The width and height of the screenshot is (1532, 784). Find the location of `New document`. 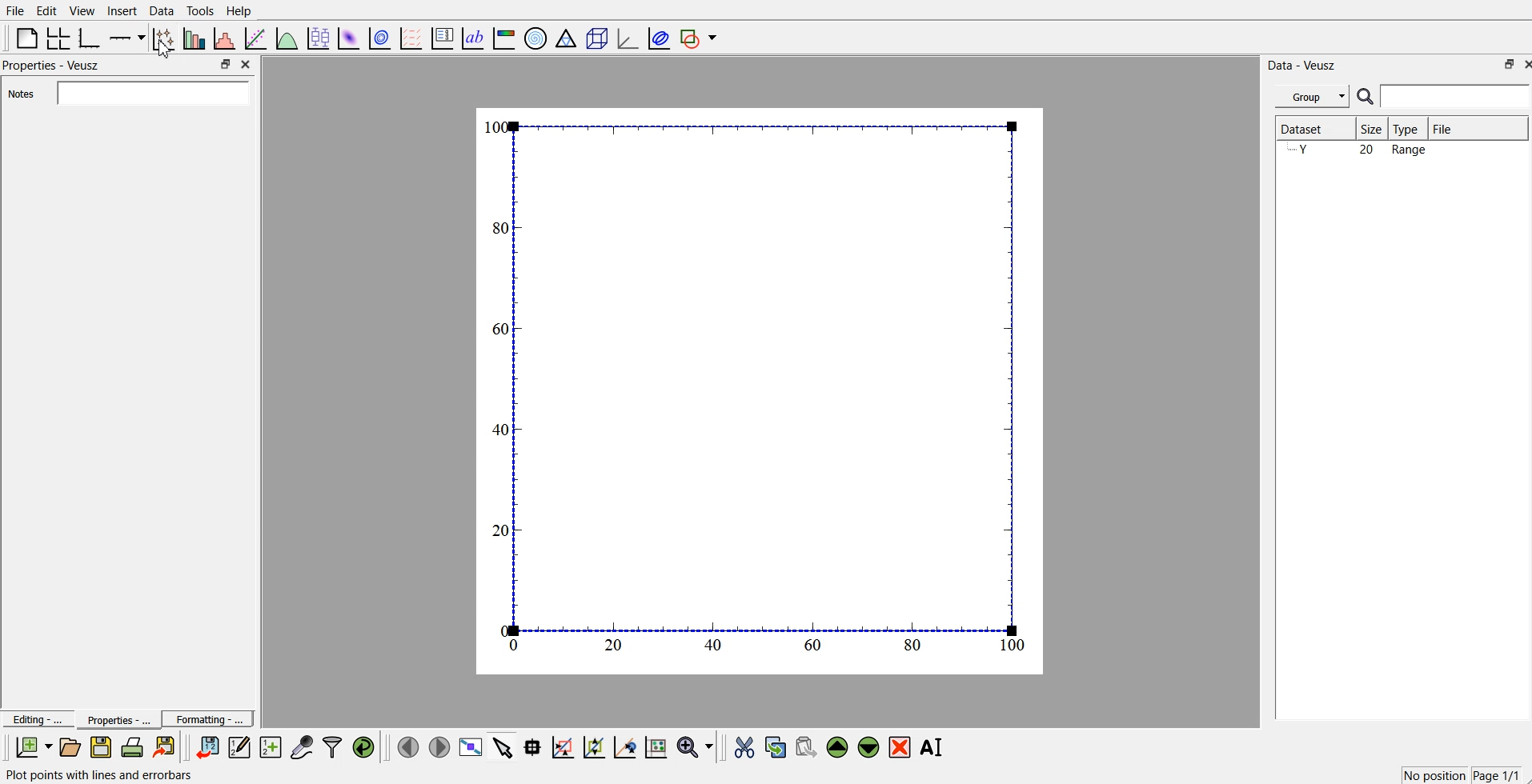

New document is located at coordinates (34, 747).